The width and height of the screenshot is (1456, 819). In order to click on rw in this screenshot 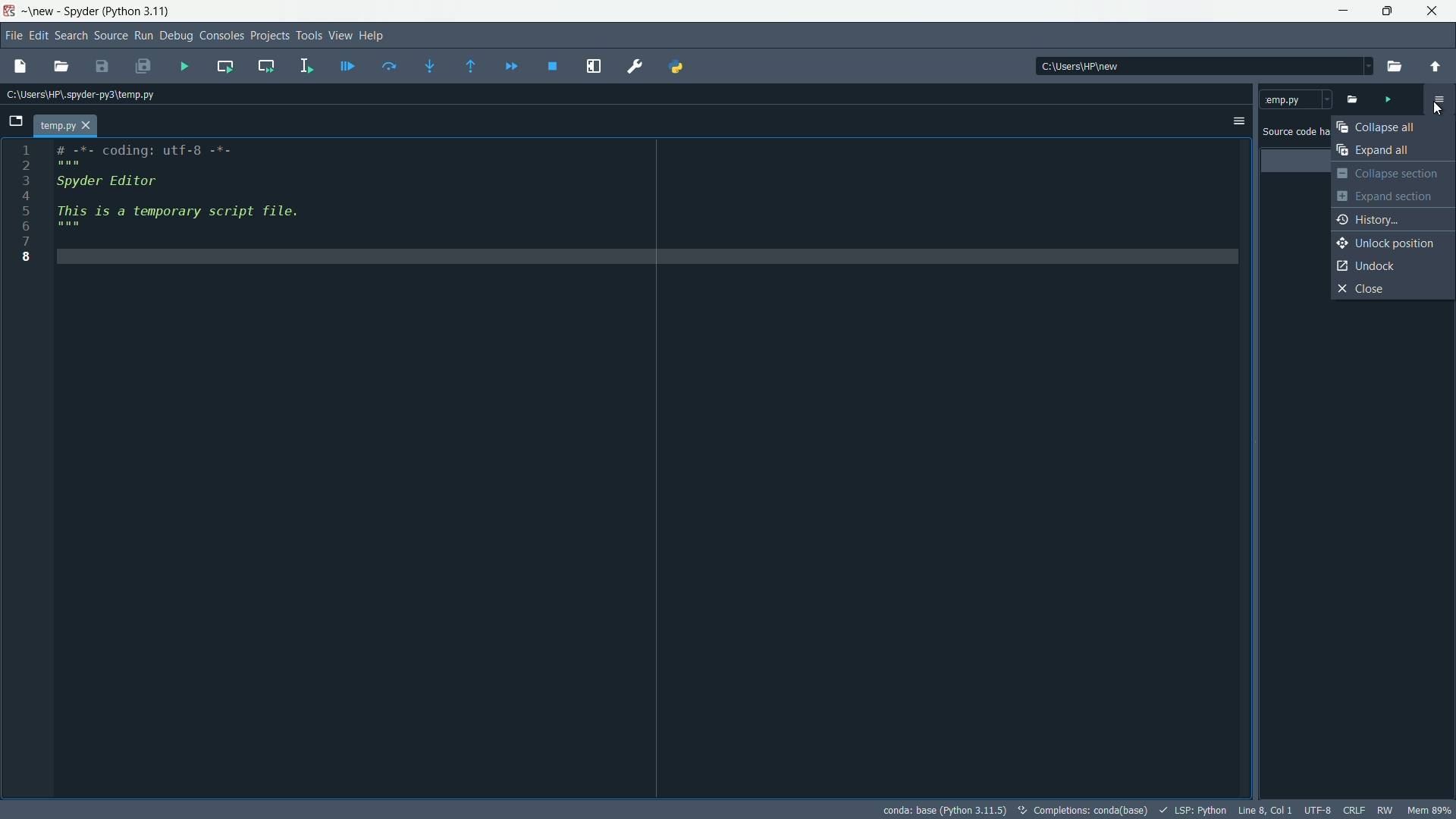, I will do `click(1385, 809)`.